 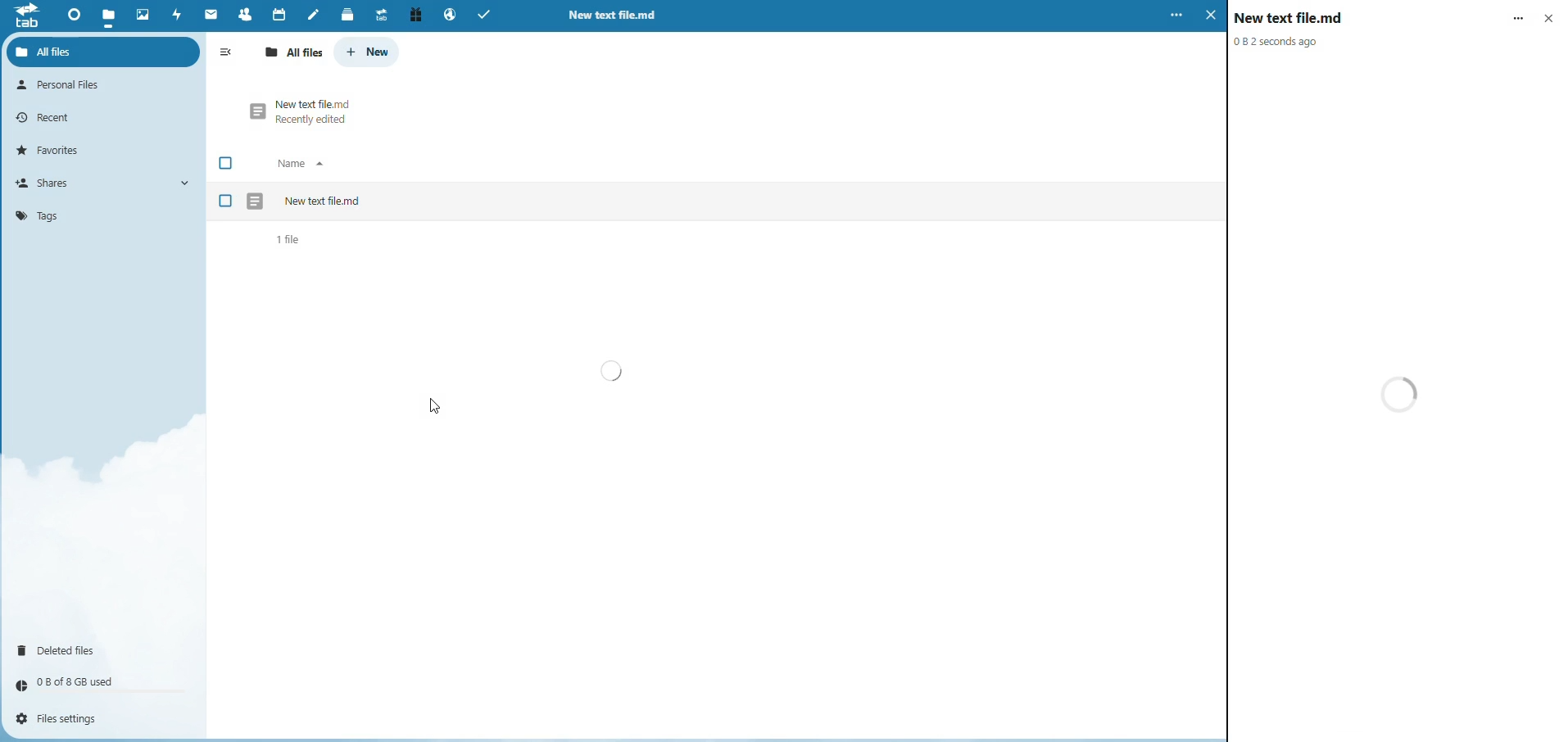 What do you see at coordinates (1174, 16) in the screenshot?
I see `More Options` at bounding box center [1174, 16].